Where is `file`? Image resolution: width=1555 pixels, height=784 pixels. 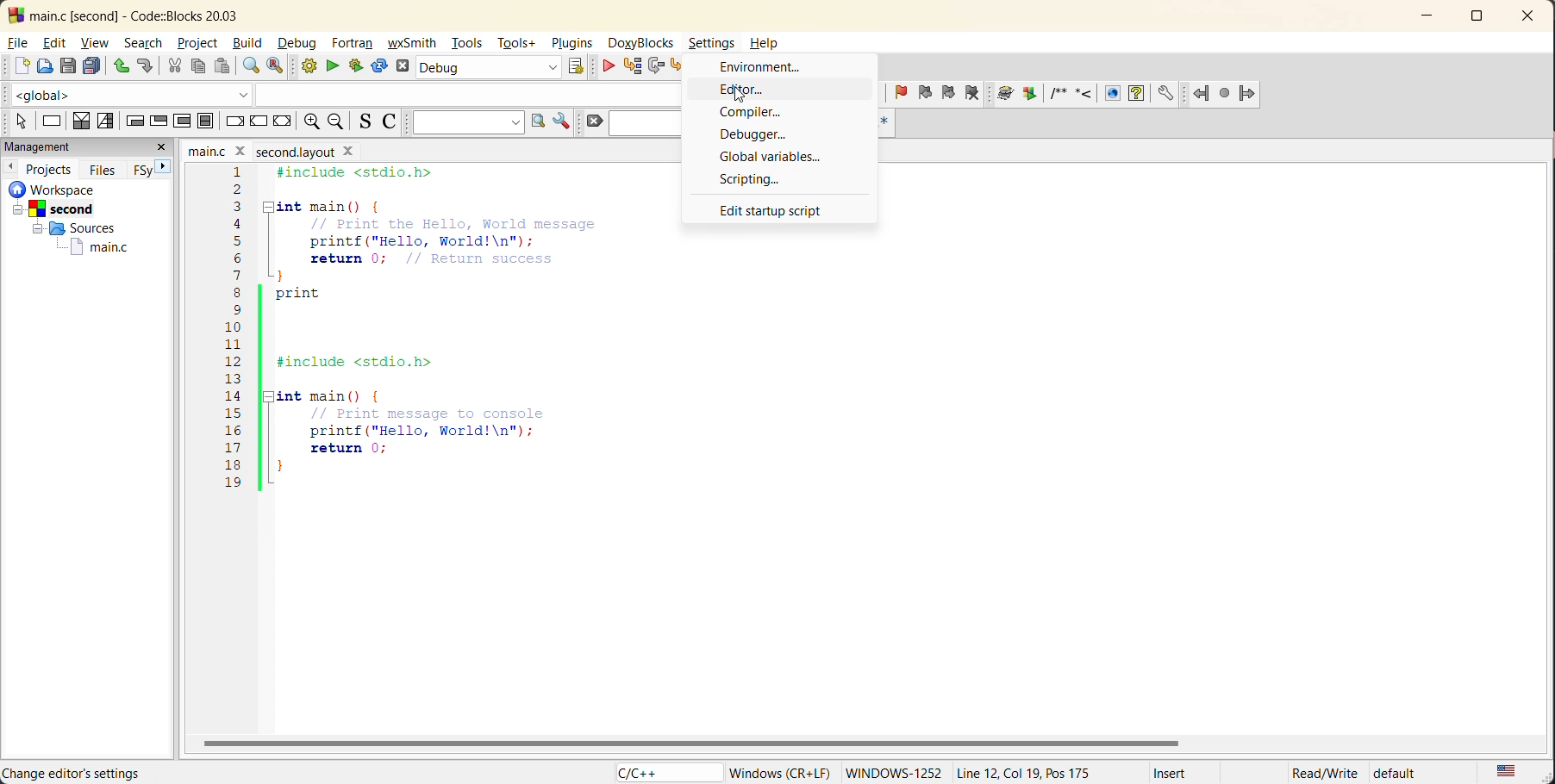 file is located at coordinates (20, 44).